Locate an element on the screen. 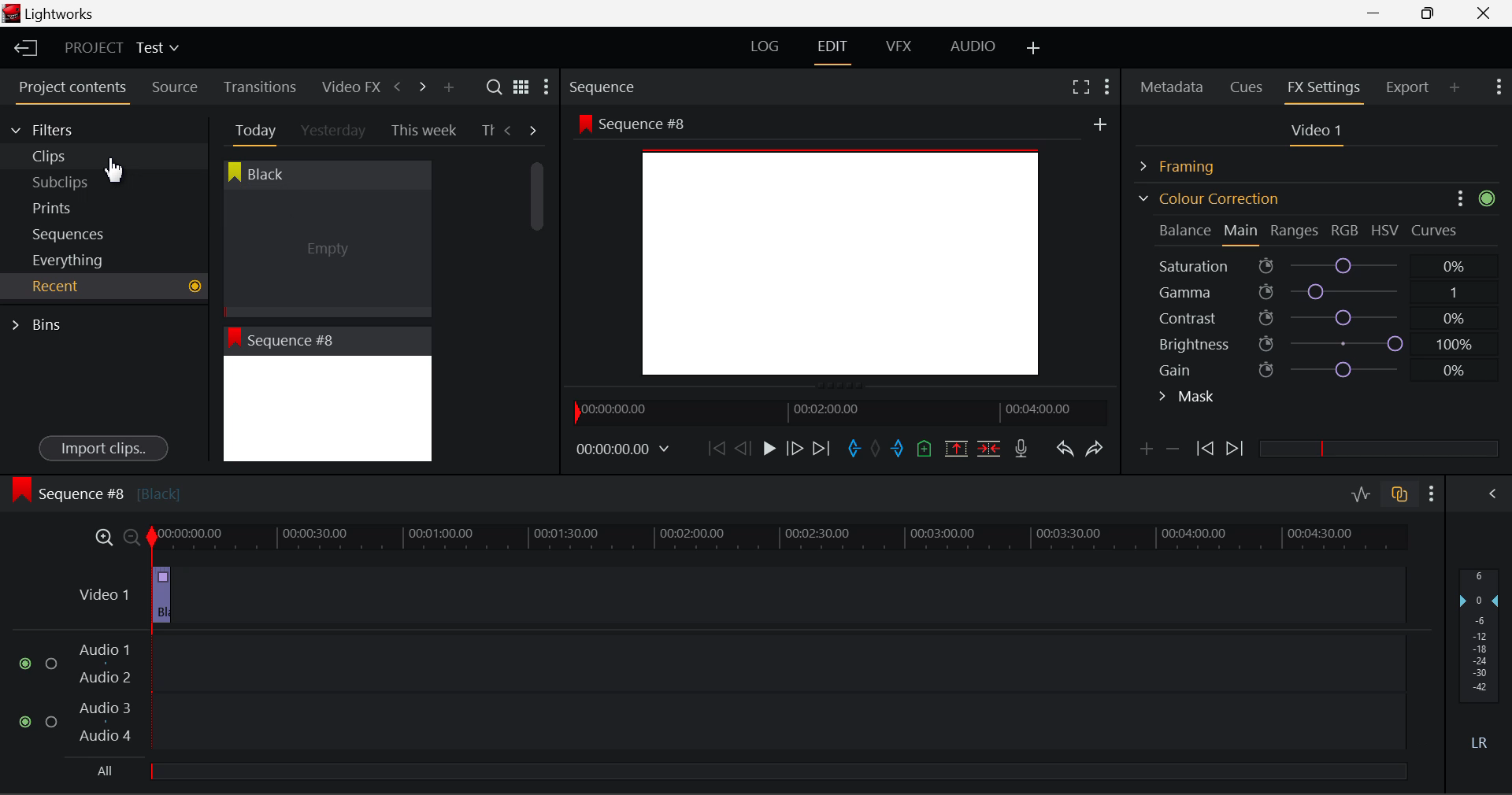  LOG Layout is located at coordinates (764, 46).